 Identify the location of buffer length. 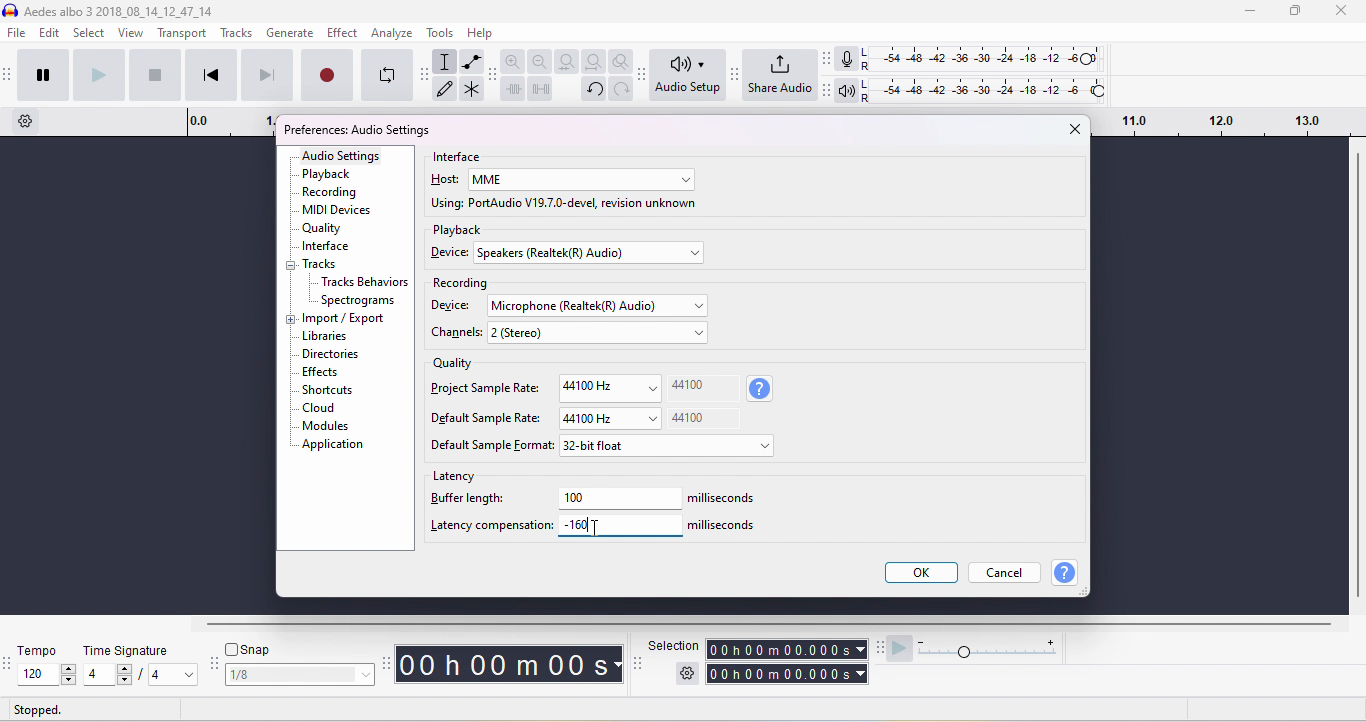
(470, 499).